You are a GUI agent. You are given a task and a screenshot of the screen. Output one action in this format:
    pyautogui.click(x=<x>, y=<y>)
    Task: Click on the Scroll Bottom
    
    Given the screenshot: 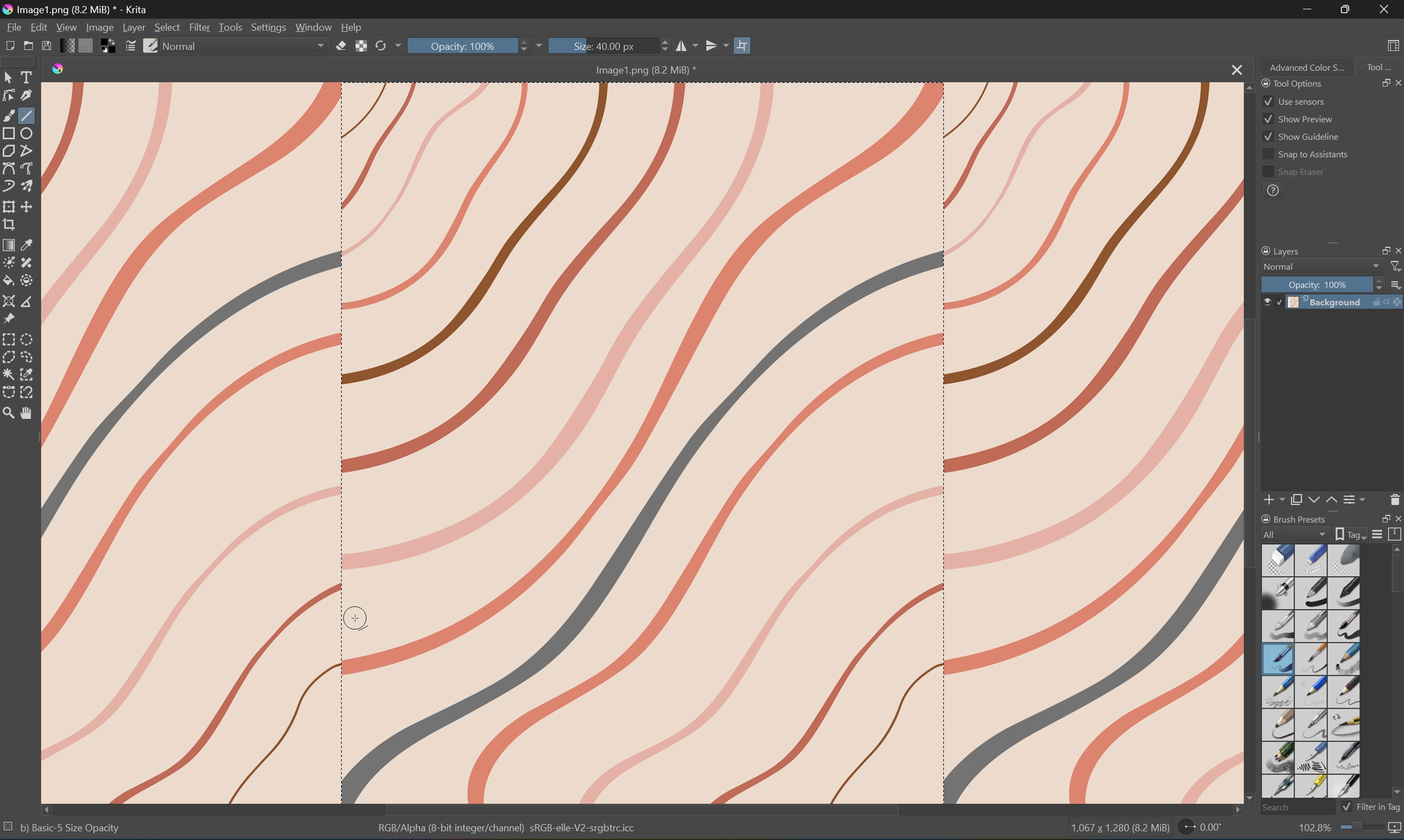 What is the action you would take?
    pyautogui.click(x=1251, y=796)
    